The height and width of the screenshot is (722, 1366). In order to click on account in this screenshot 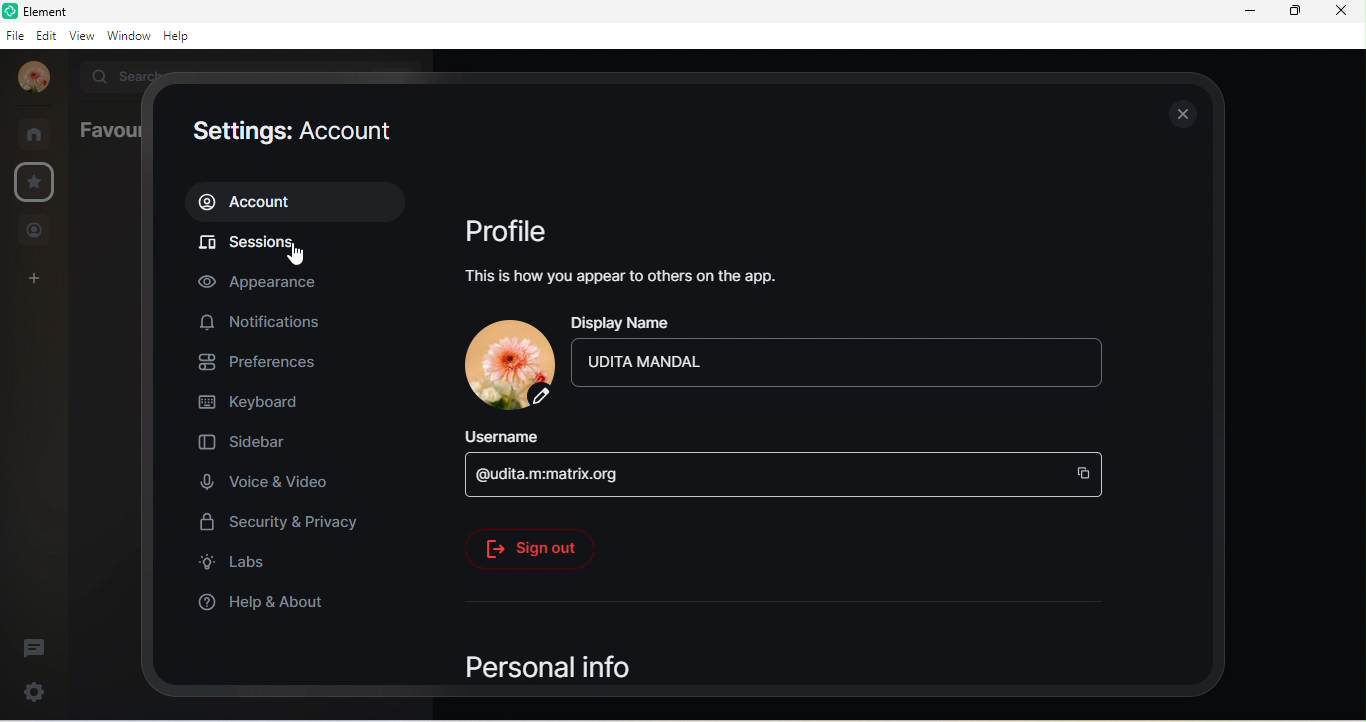, I will do `click(33, 77)`.